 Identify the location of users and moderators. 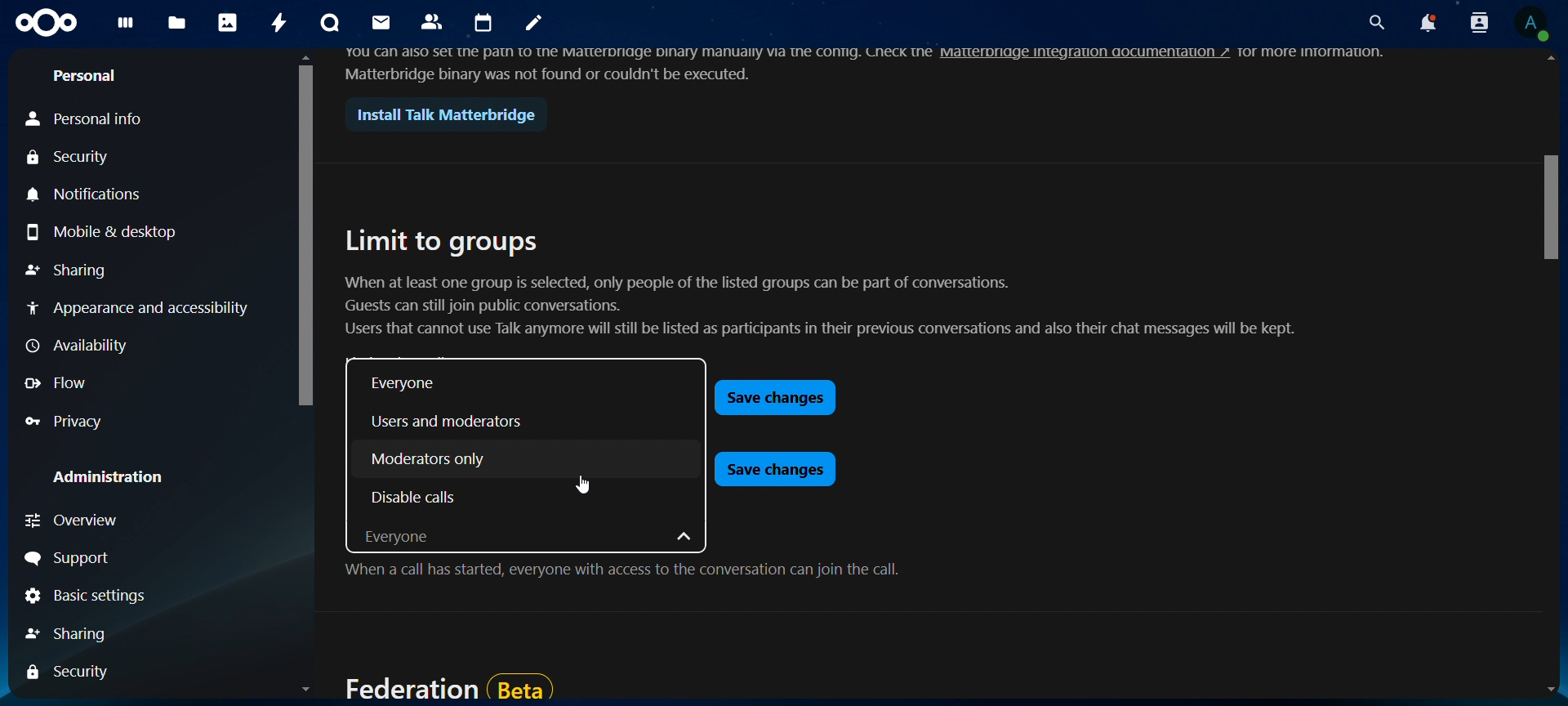
(455, 421).